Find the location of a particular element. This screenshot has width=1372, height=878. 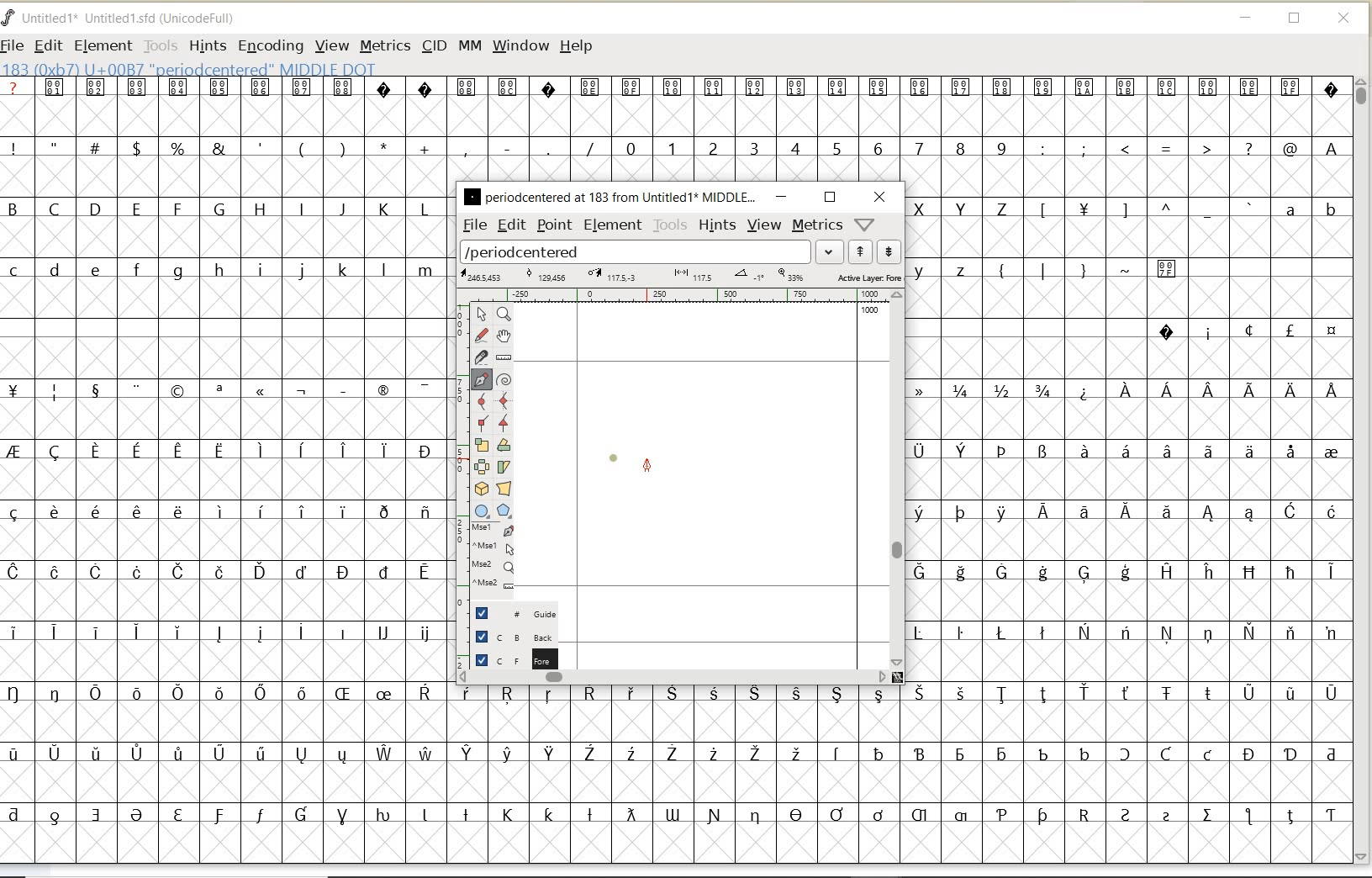

special characters is located at coordinates (1193, 149).